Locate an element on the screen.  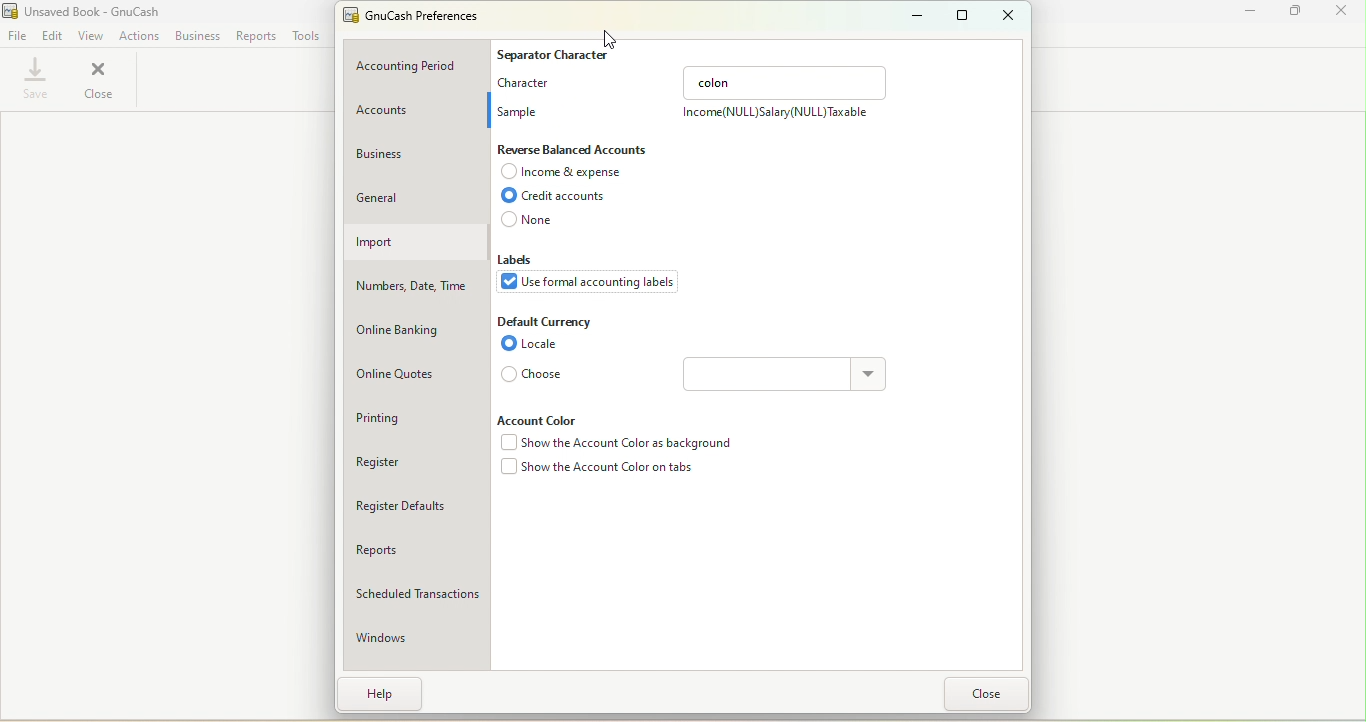
Business is located at coordinates (414, 154).